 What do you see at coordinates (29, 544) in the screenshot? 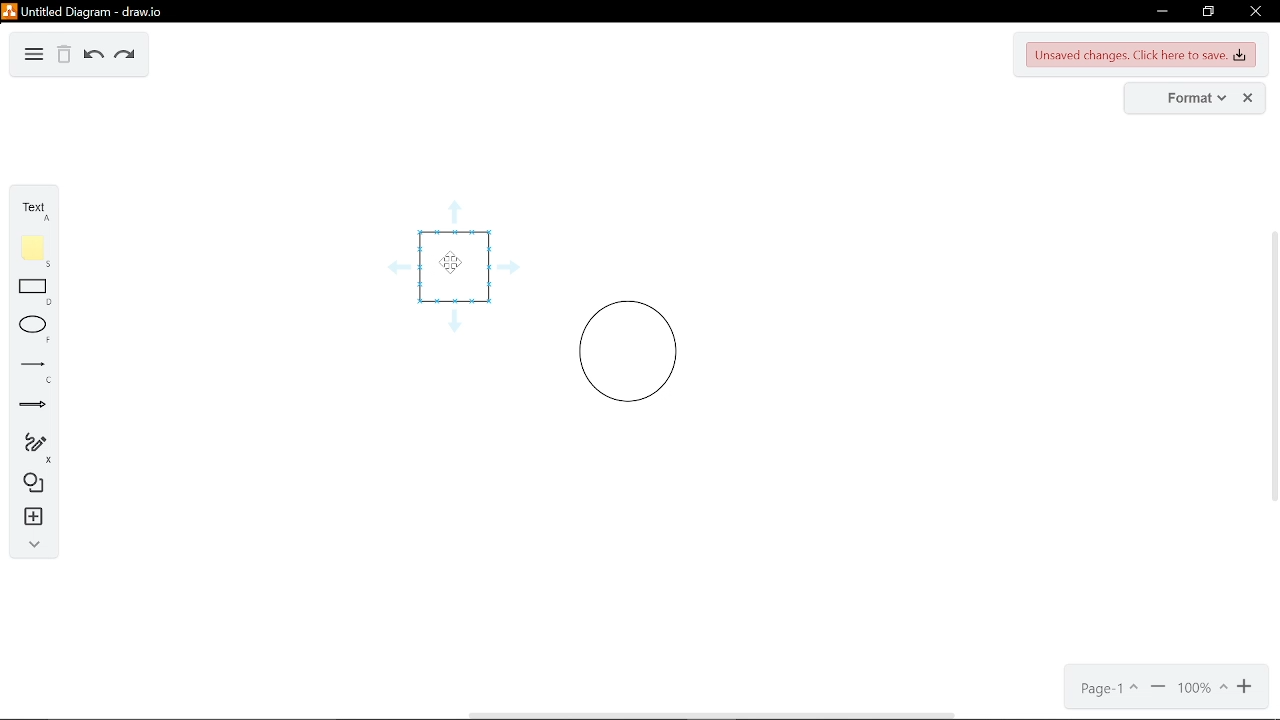
I see `collapse` at bounding box center [29, 544].